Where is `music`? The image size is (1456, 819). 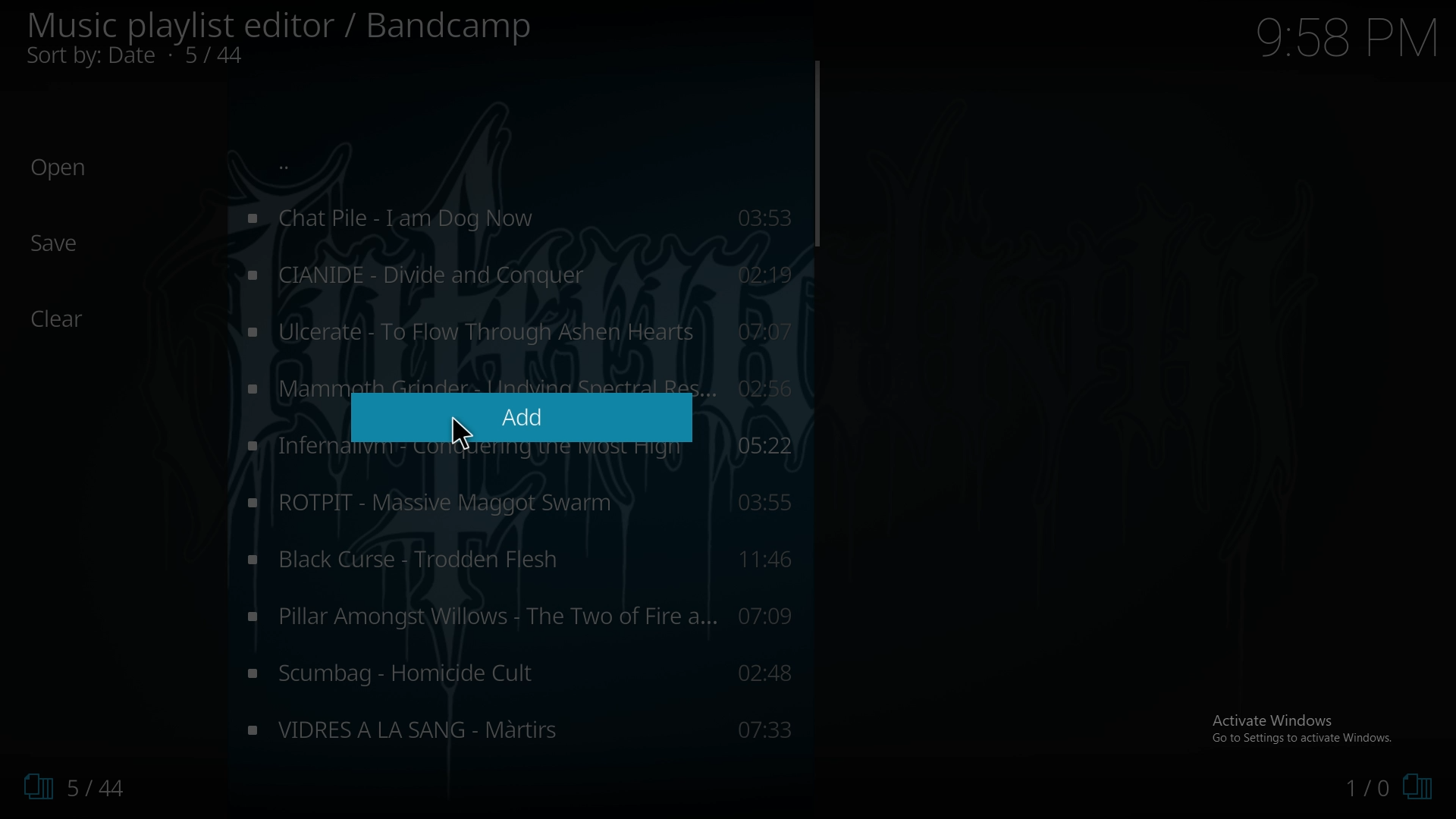
music is located at coordinates (516, 275).